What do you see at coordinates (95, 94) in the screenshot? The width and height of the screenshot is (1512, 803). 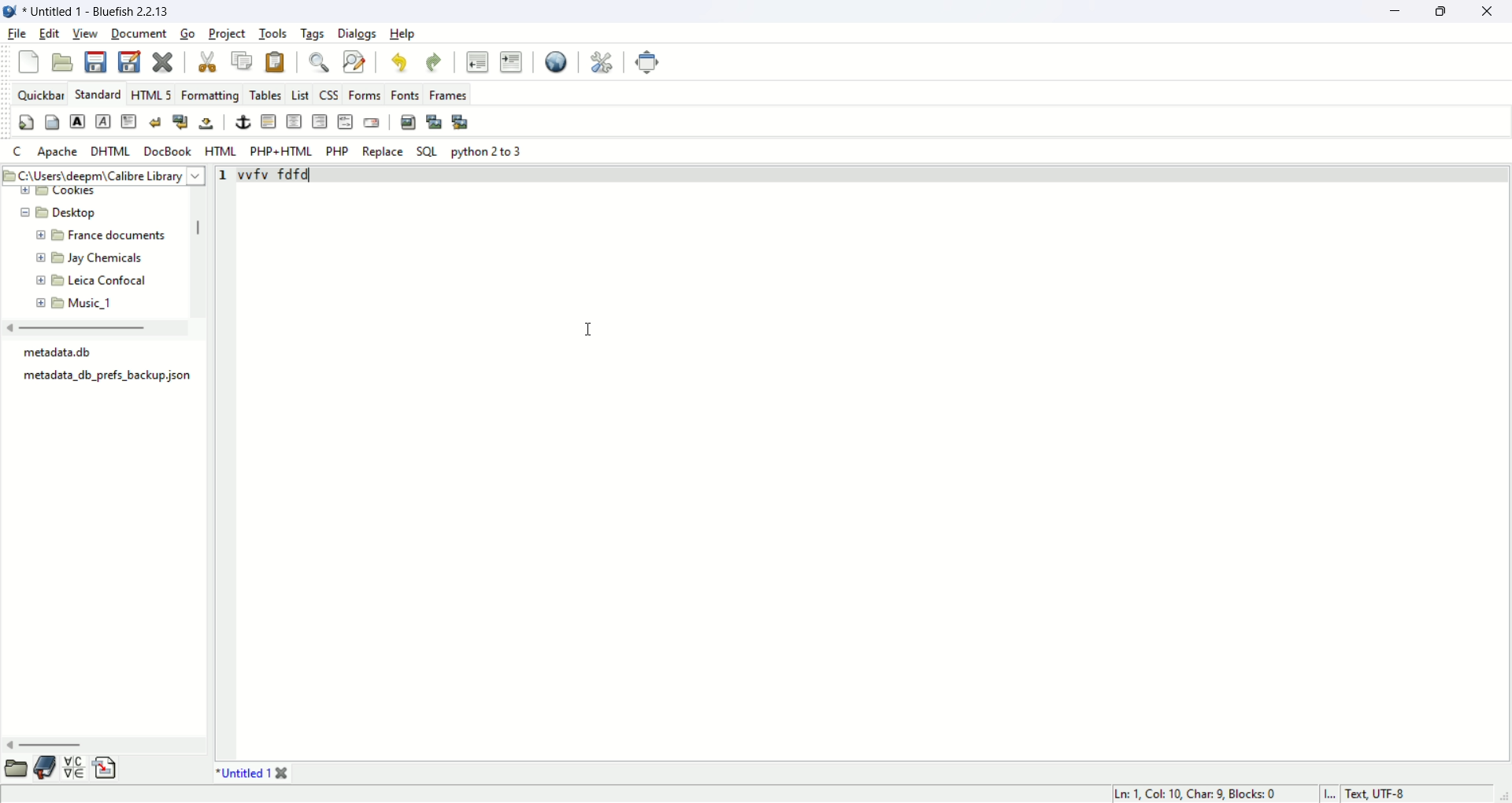 I see `STANDARD` at bounding box center [95, 94].